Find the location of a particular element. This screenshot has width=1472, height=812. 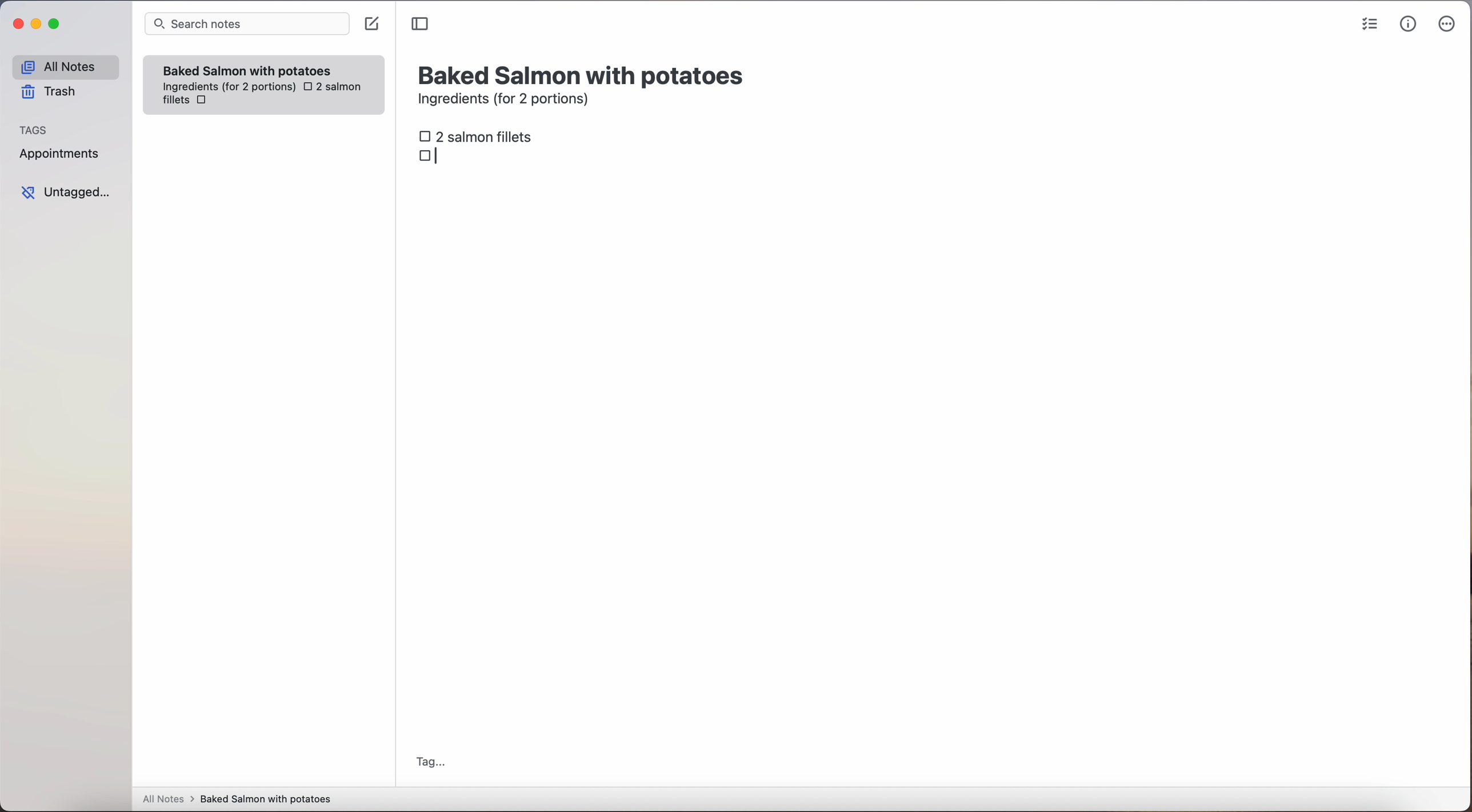

untagged is located at coordinates (67, 192).